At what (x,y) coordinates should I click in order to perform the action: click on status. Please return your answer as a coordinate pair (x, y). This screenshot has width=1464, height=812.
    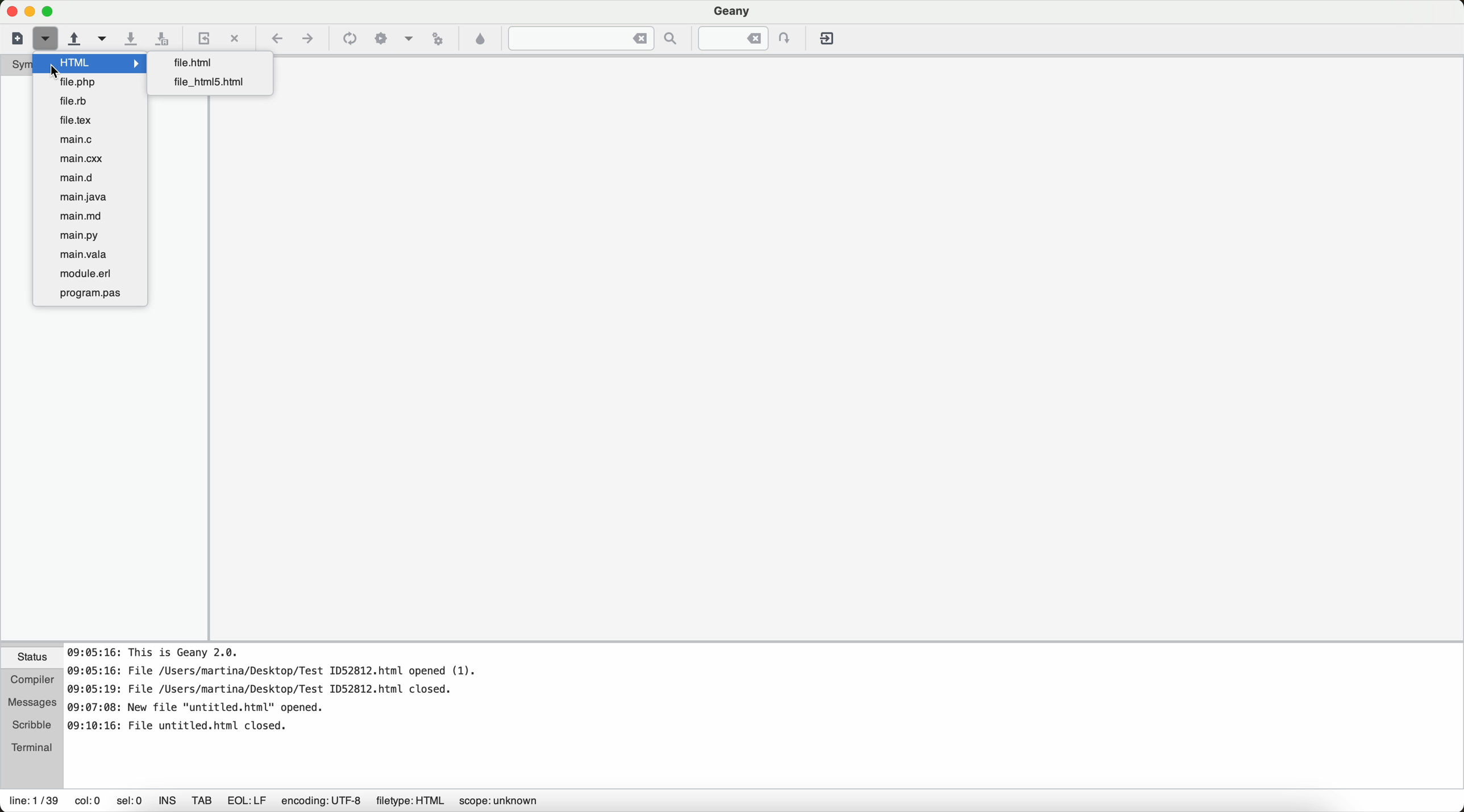
    Looking at the image, I should click on (30, 658).